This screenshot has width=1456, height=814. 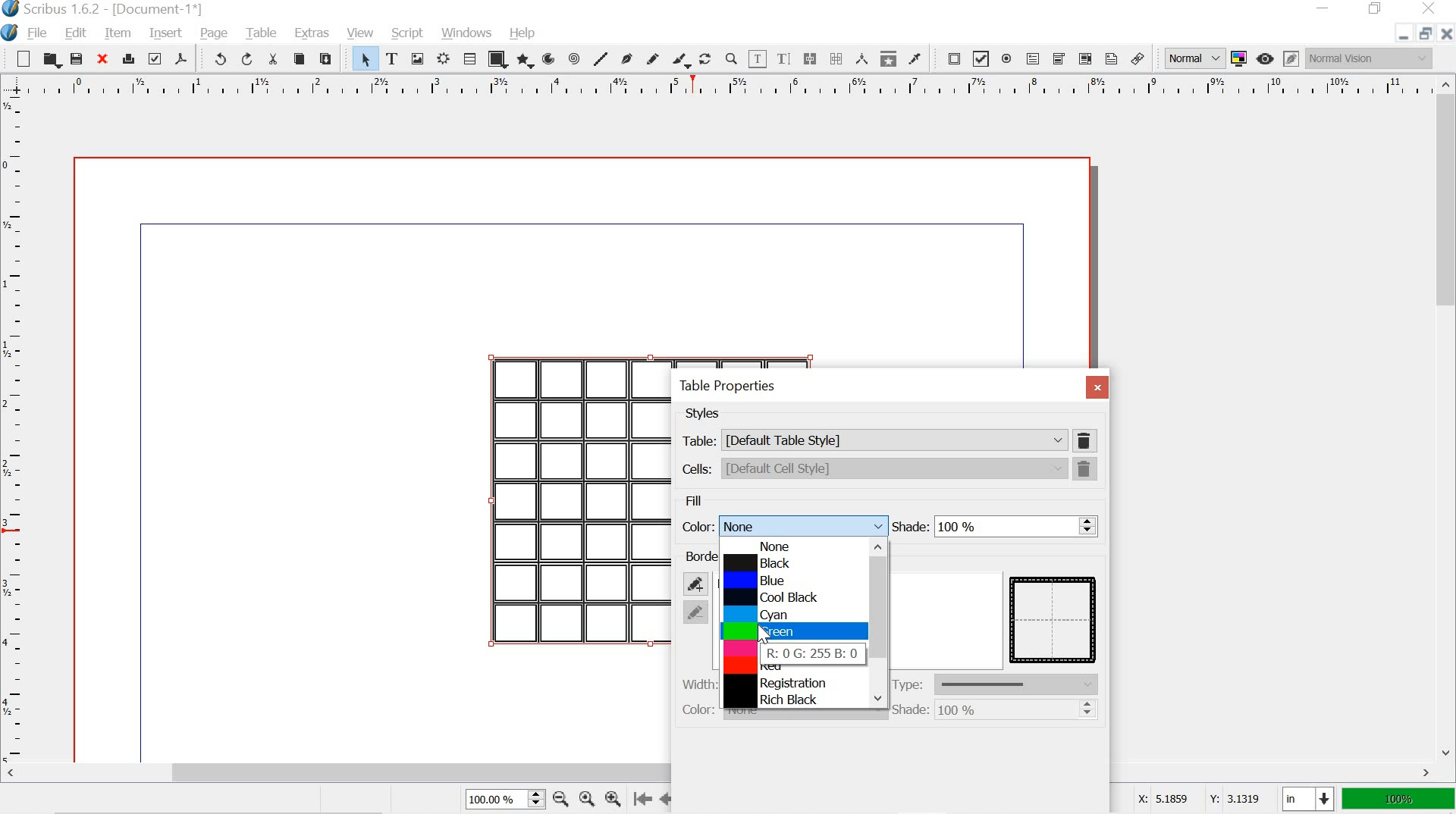 I want to click on script, so click(x=408, y=34).